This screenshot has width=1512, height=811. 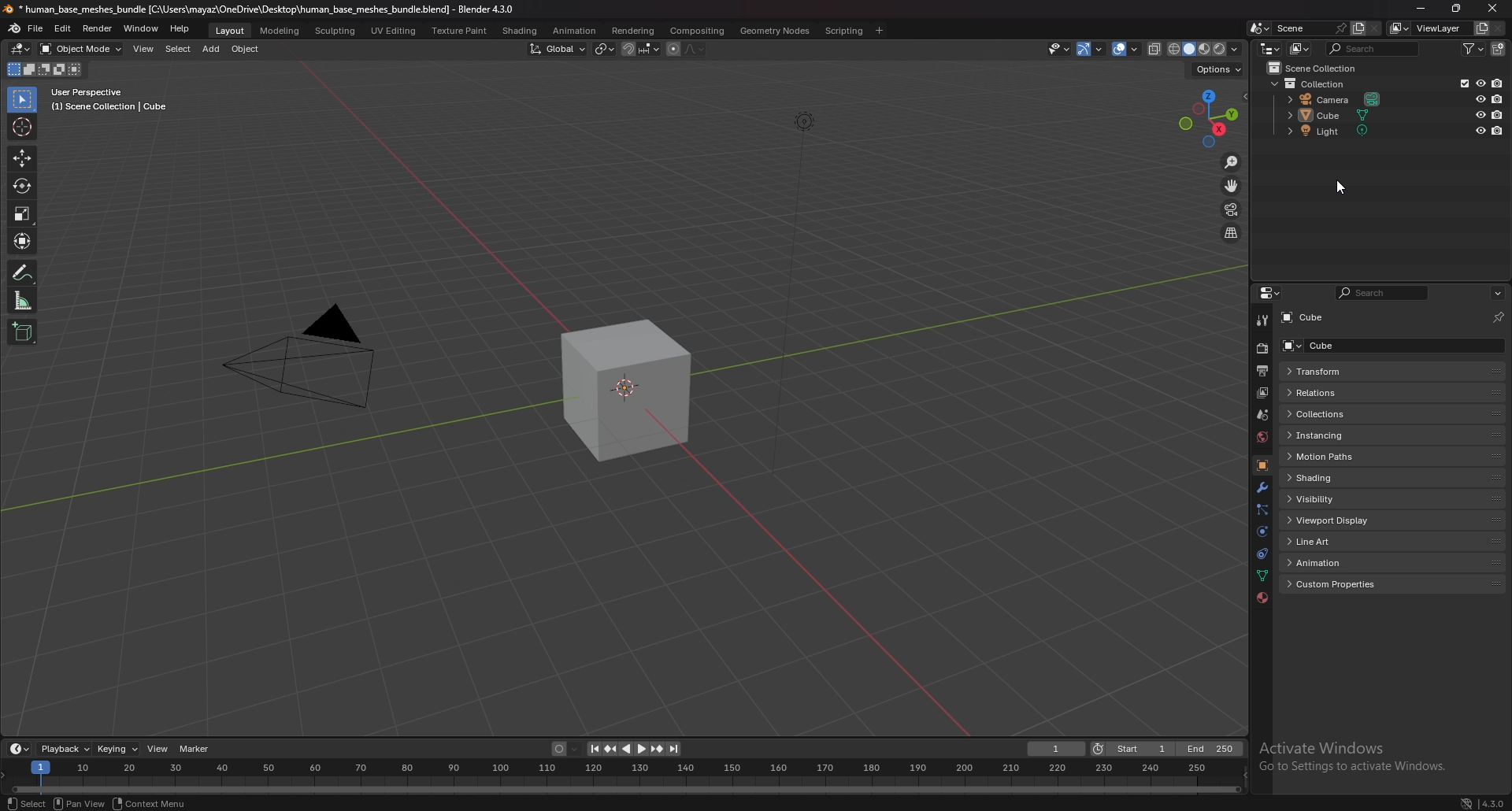 I want to click on select, so click(x=24, y=100).